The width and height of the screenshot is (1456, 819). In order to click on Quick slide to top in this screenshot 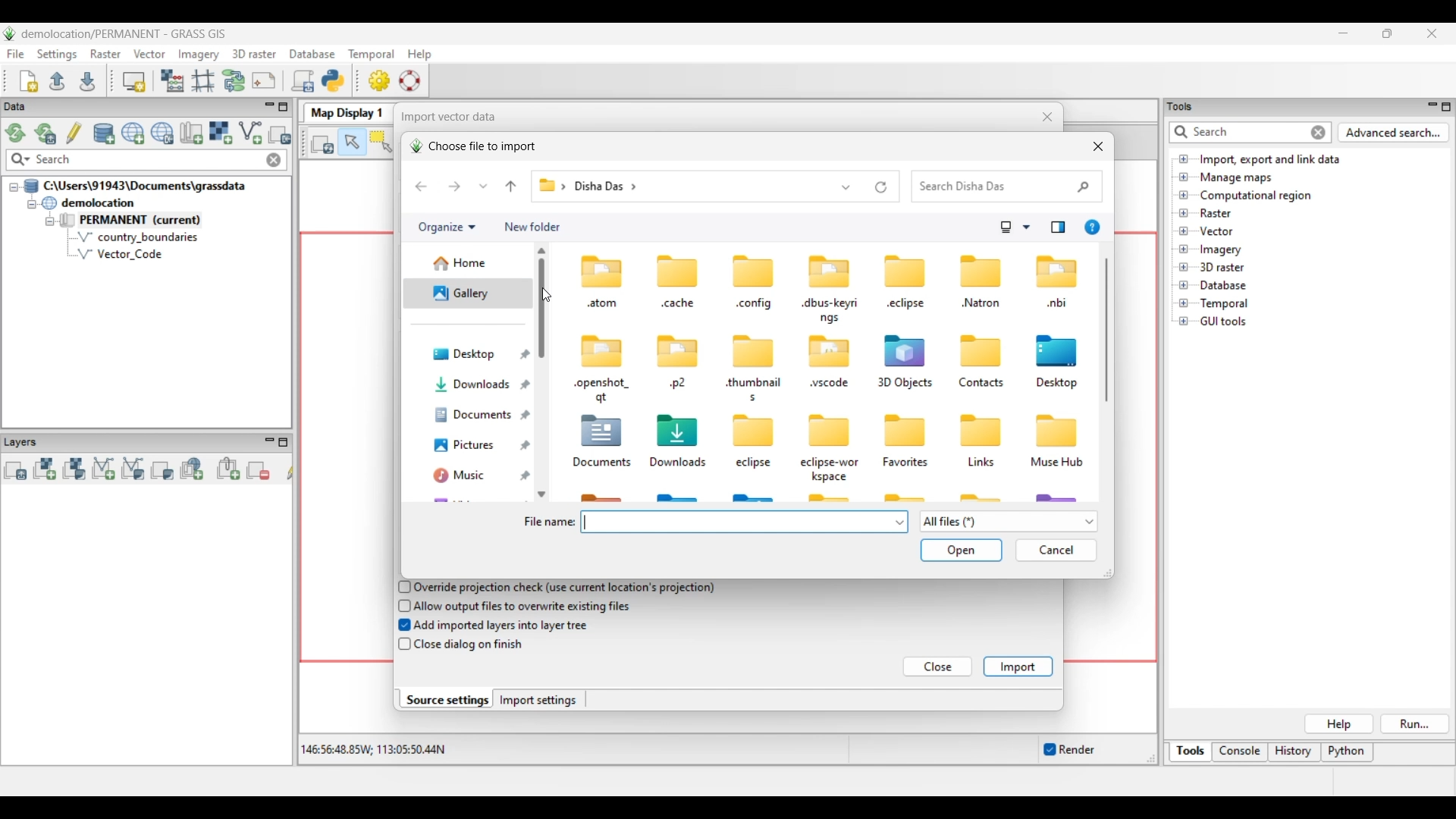, I will do `click(541, 250)`.